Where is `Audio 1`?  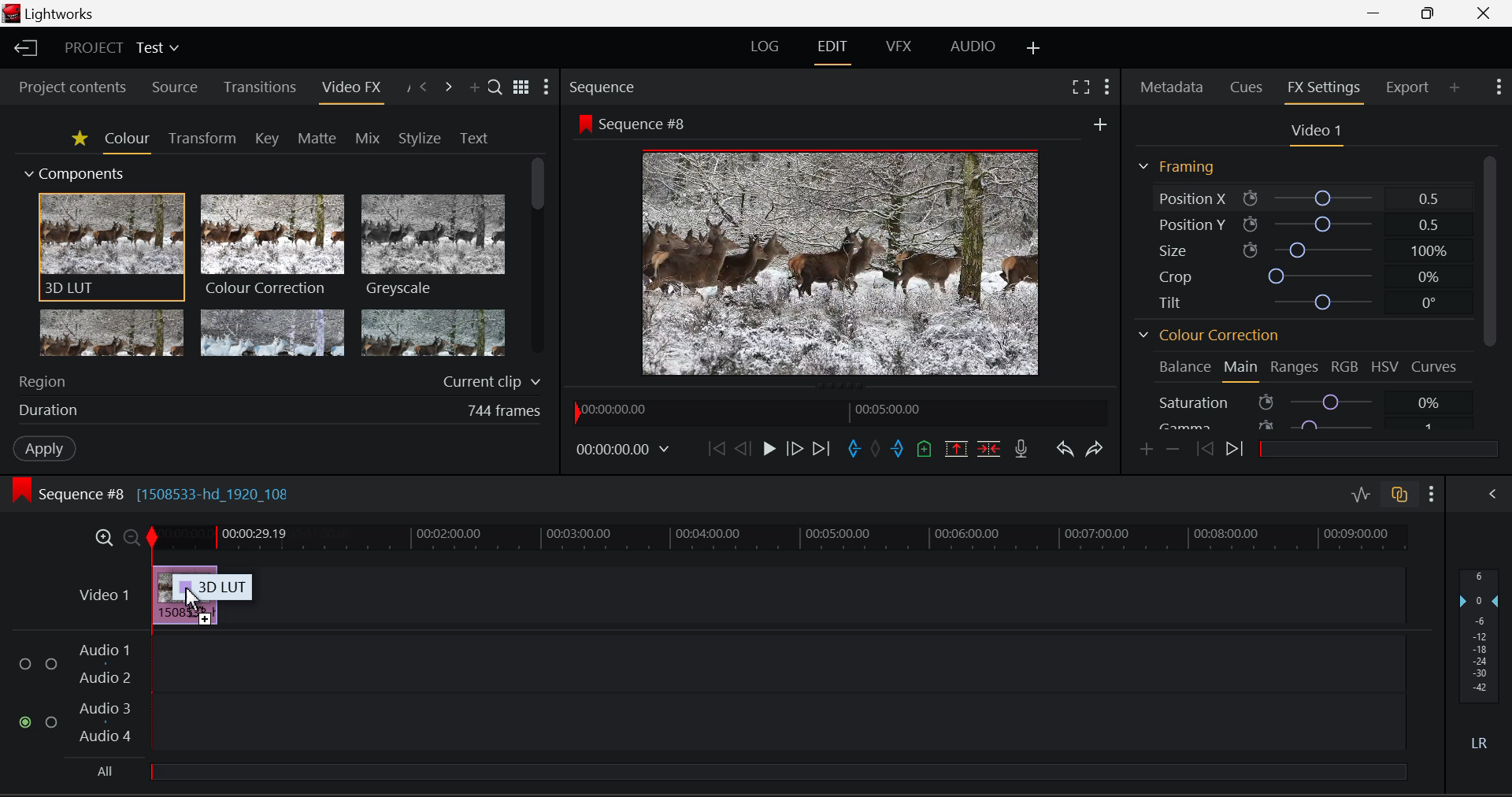
Audio 1 is located at coordinates (108, 649).